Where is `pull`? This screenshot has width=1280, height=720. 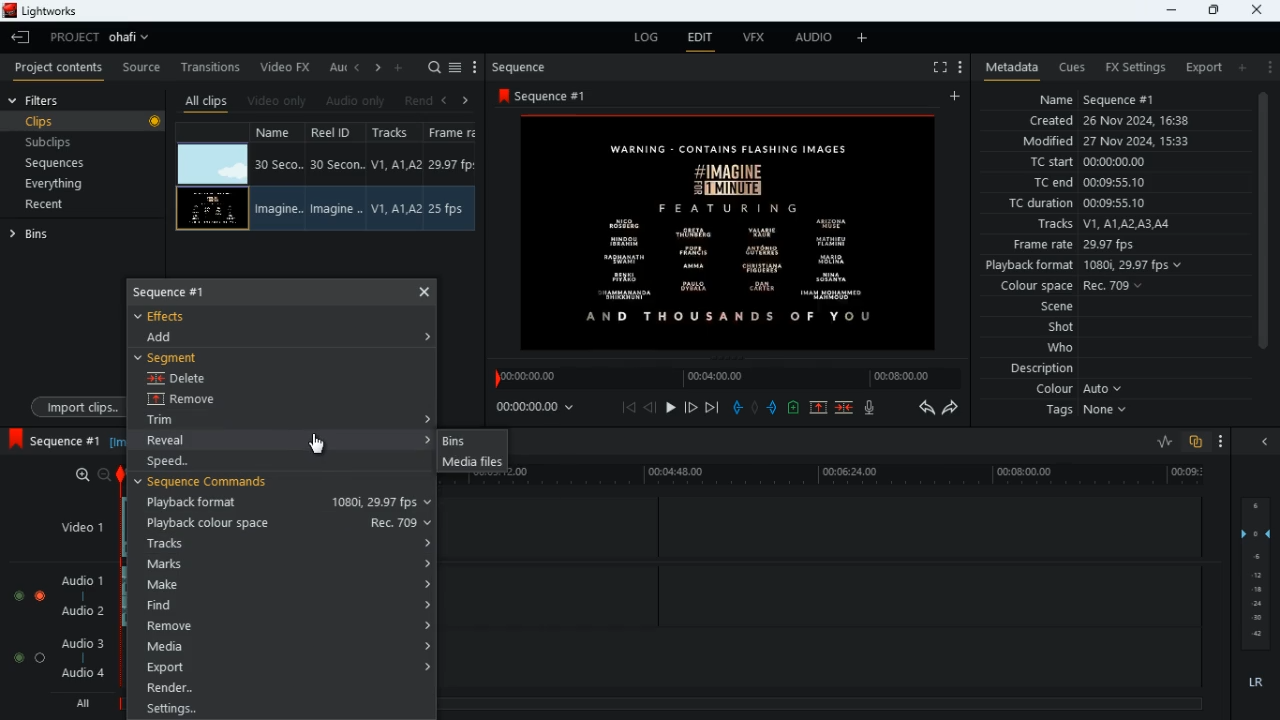 pull is located at coordinates (735, 407).